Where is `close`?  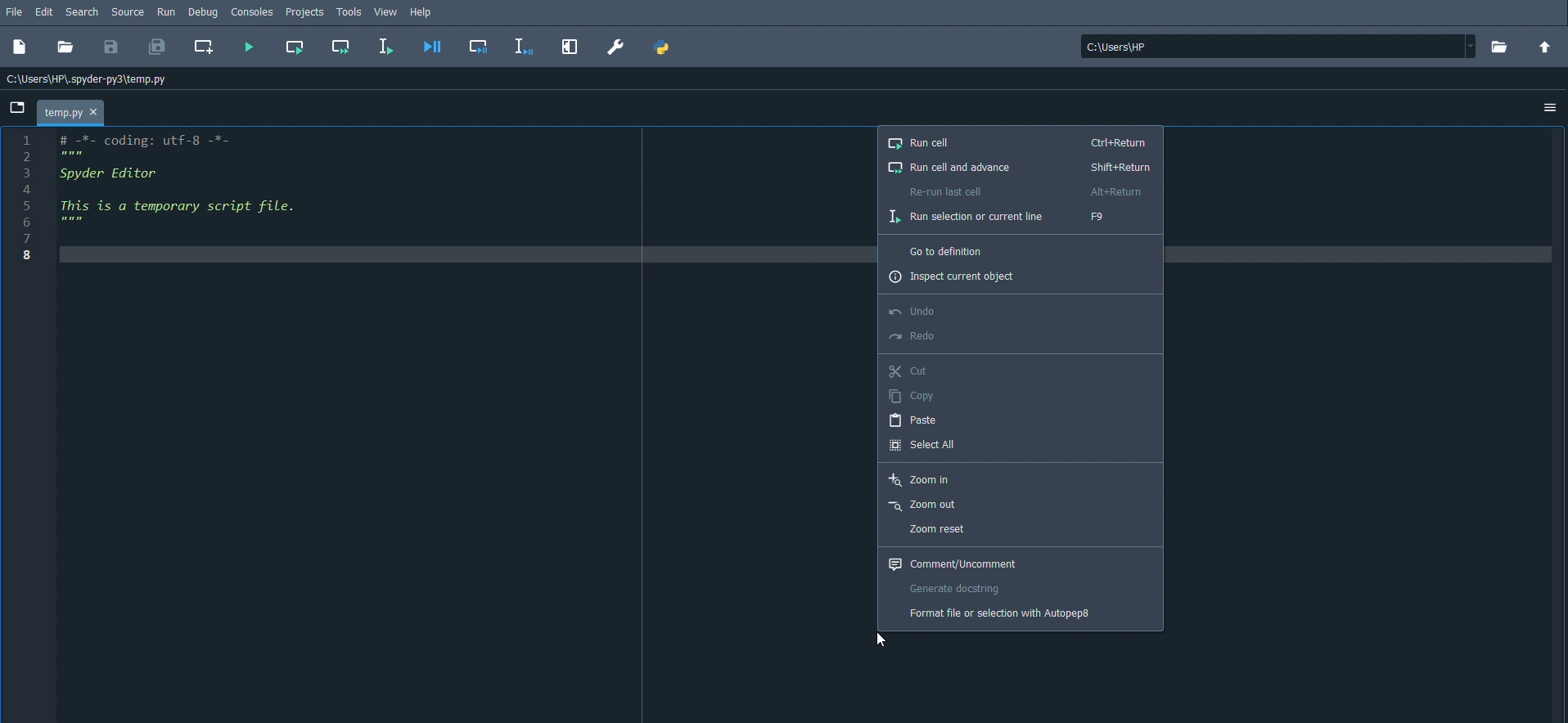
close is located at coordinates (95, 111).